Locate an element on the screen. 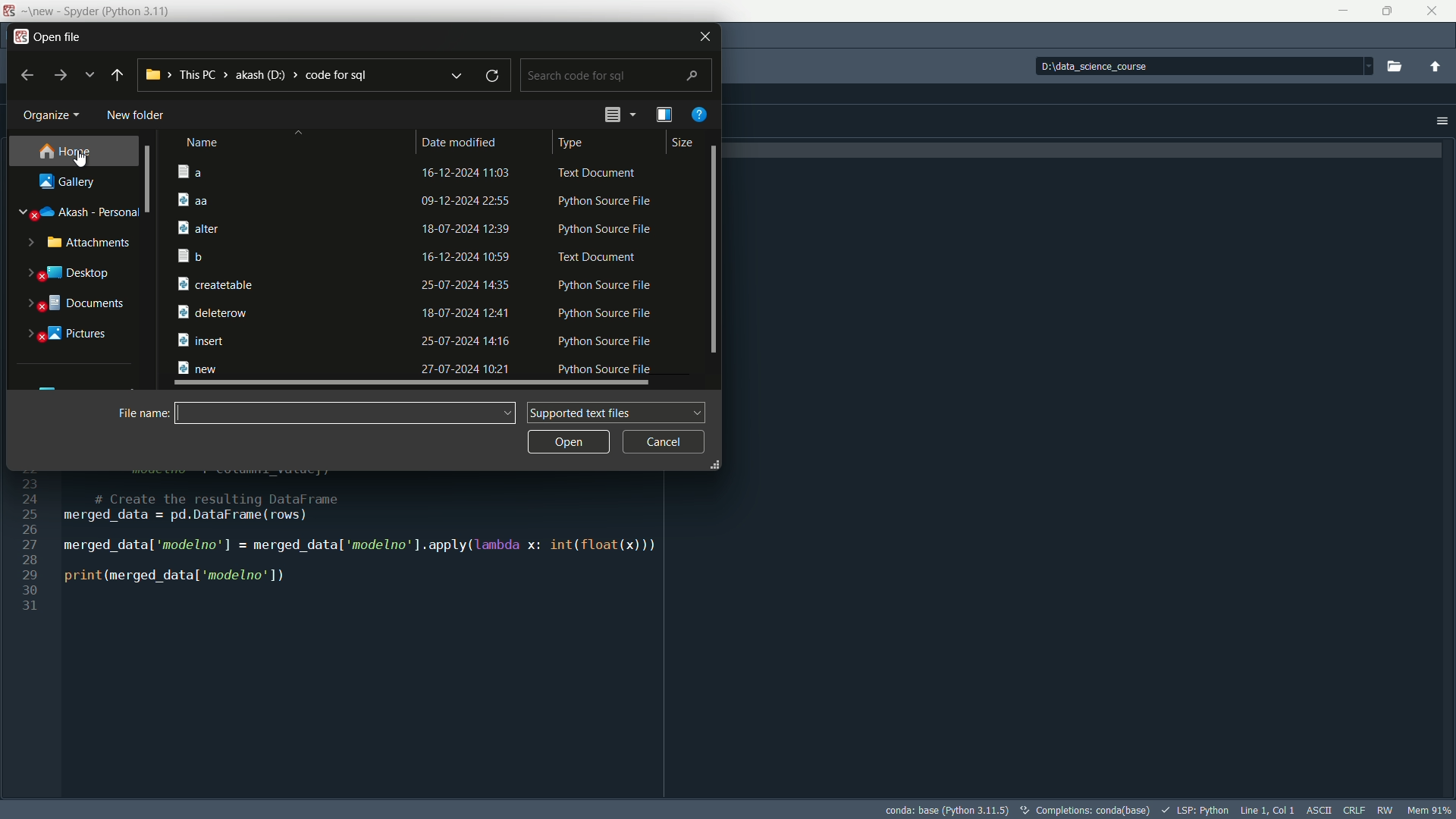 This screenshot has width=1456, height=819. back is located at coordinates (27, 76).